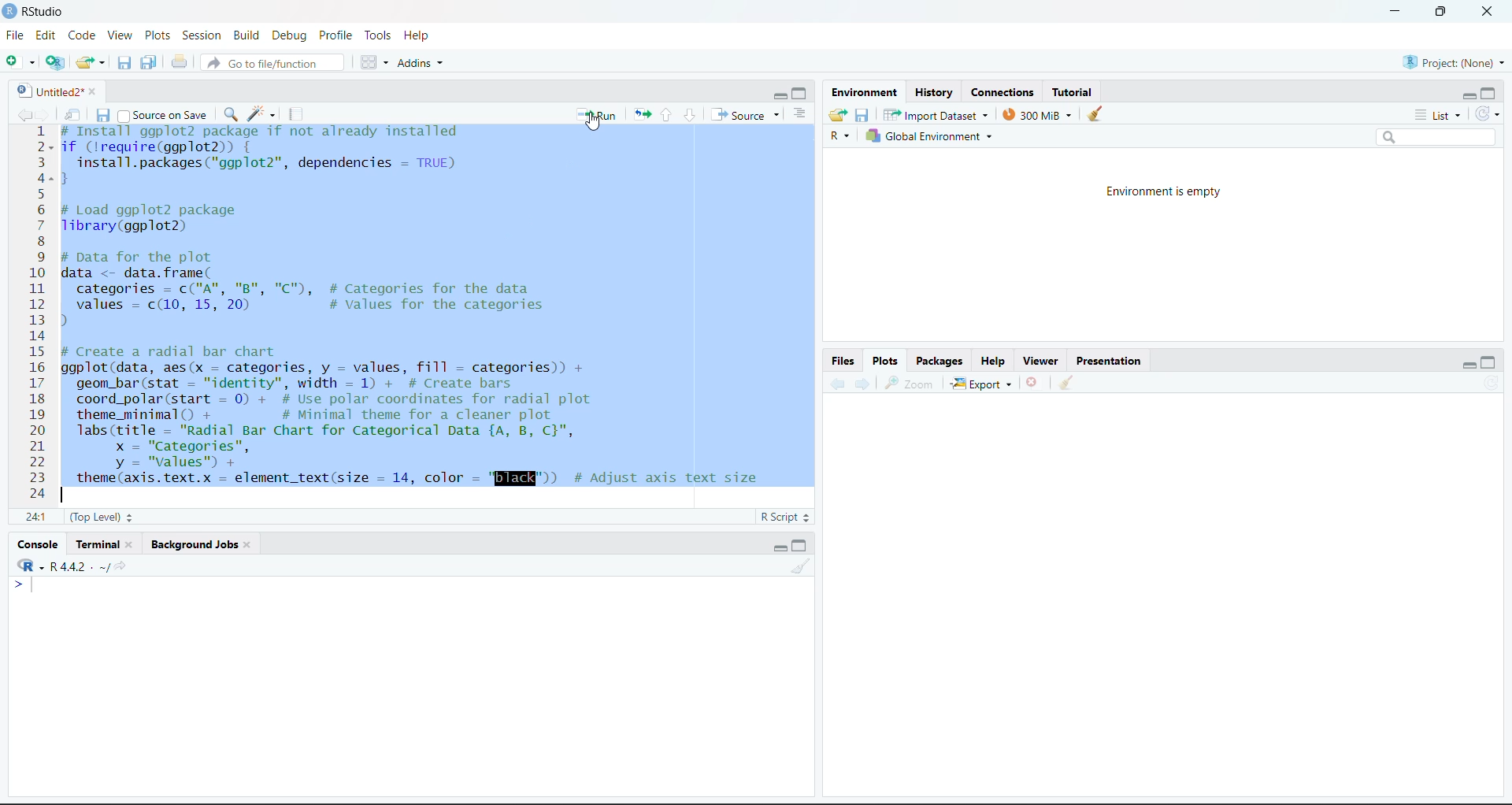  What do you see at coordinates (1156, 191) in the screenshot?
I see `Environment is empty` at bounding box center [1156, 191].